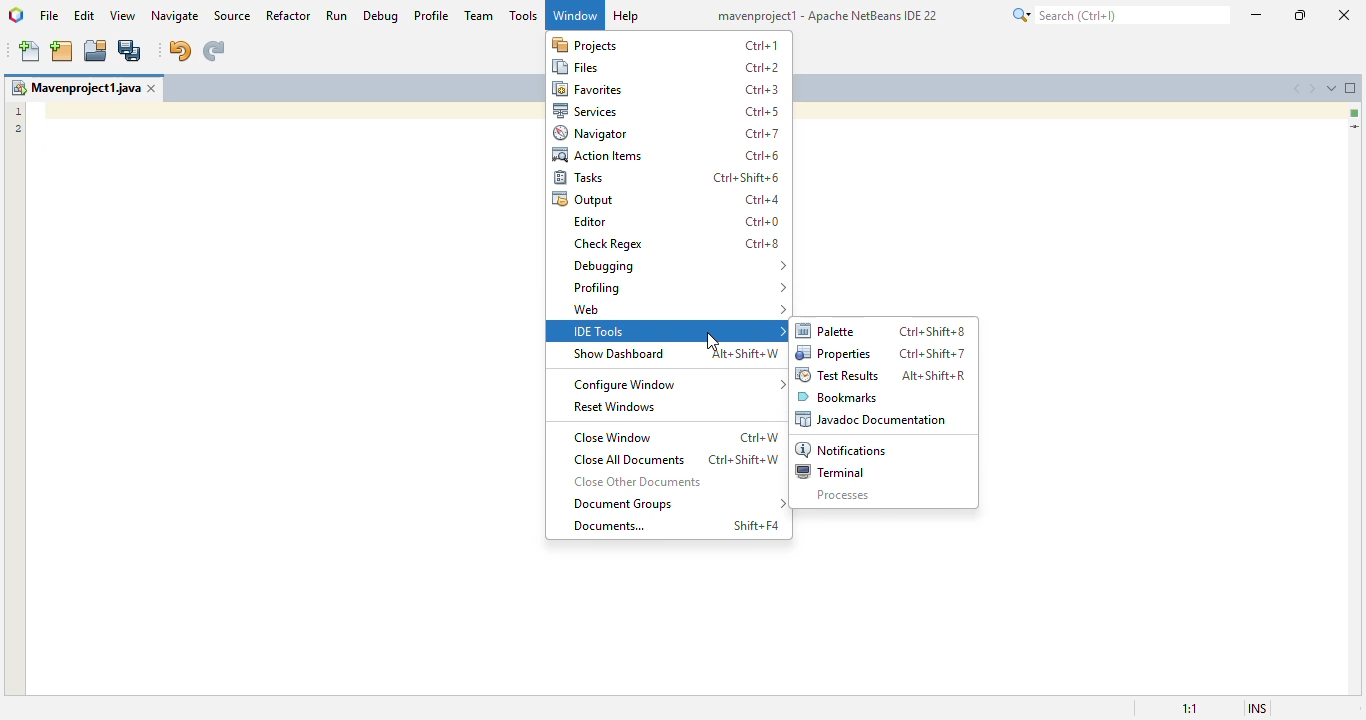 Image resolution: width=1366 pixels, height=720 pixels. Describe the element at coordinates (762, 244) in the screenshot. I see `shortcut for check regex` at that location.